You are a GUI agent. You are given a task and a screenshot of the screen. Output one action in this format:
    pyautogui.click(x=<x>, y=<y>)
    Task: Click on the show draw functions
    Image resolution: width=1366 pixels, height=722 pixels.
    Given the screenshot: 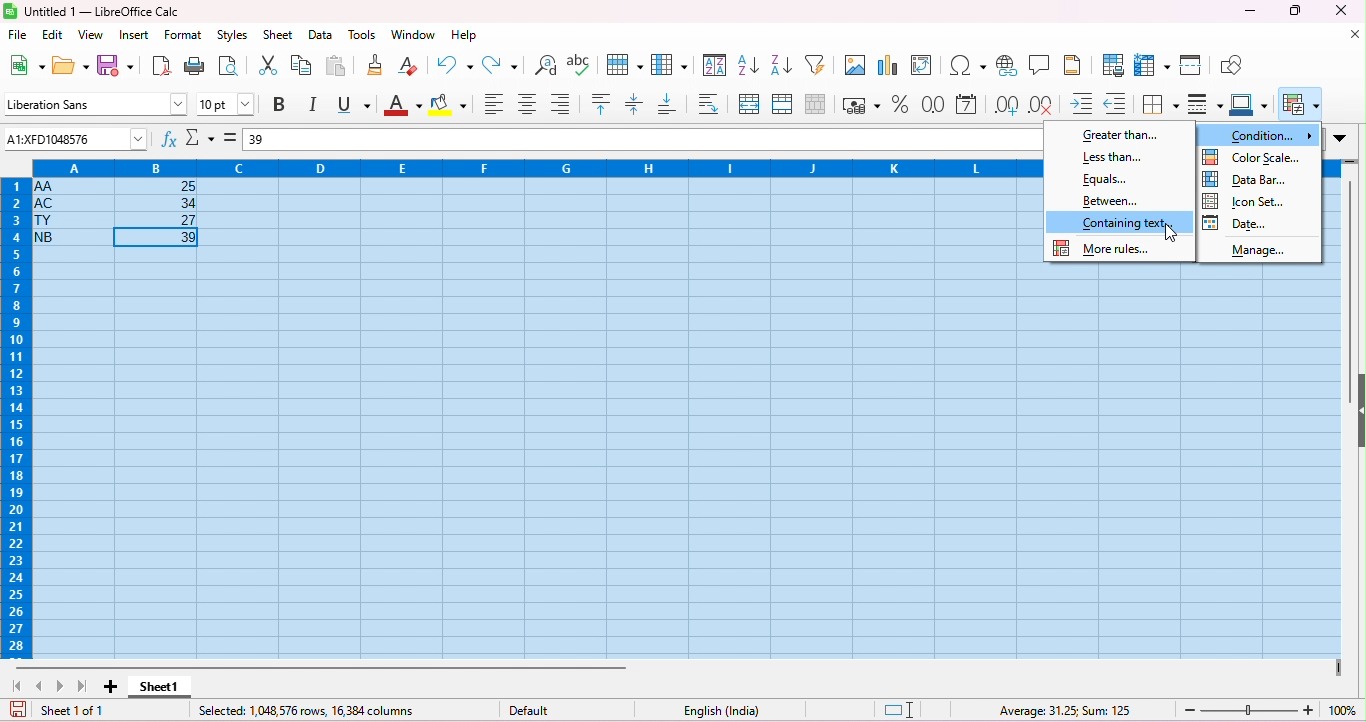 What is the action you would take?
    pyautogui.click(x=1232, y=63)
    